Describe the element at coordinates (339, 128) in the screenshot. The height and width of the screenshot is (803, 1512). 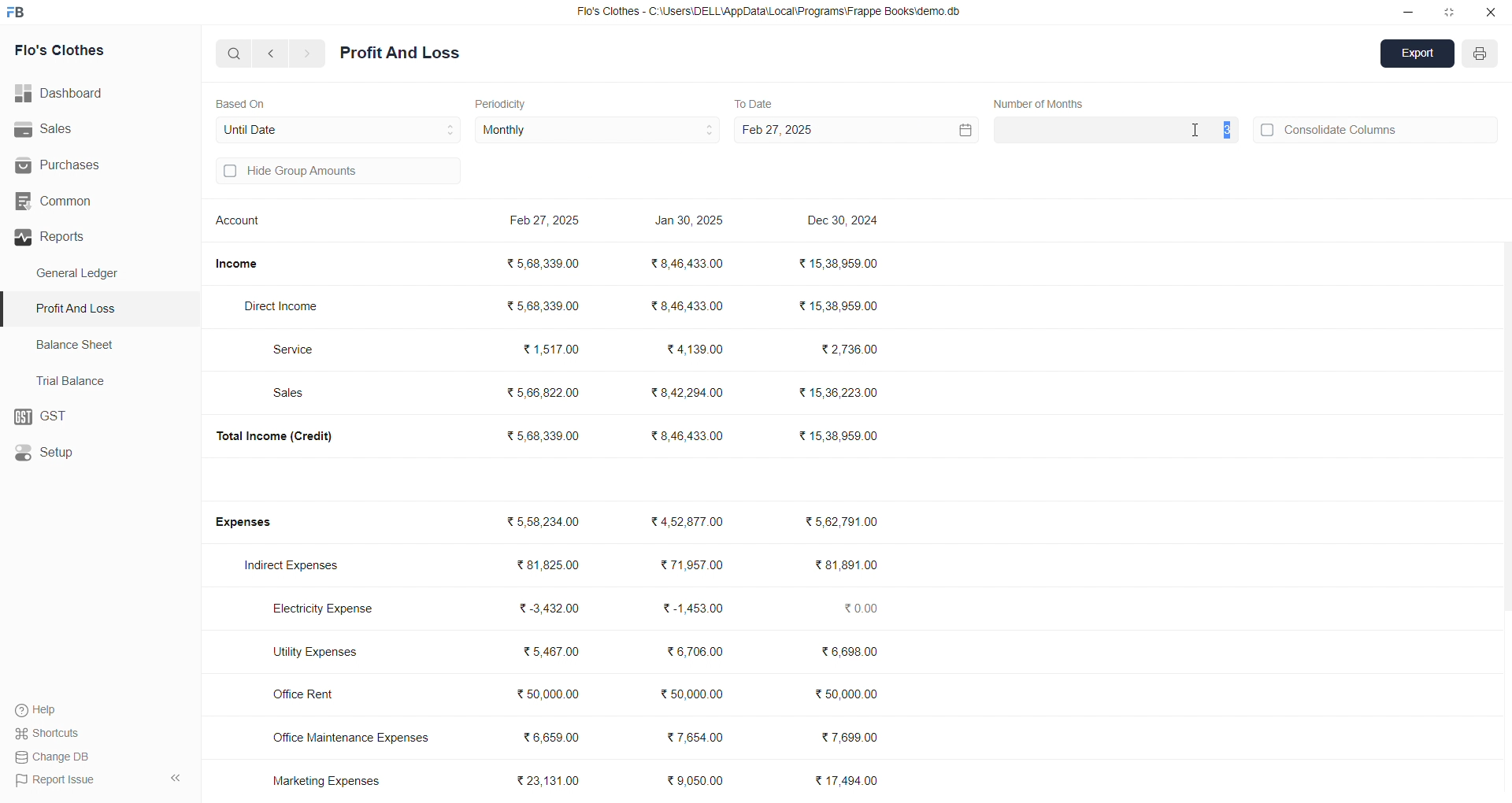
I see `Until Date` at that location.